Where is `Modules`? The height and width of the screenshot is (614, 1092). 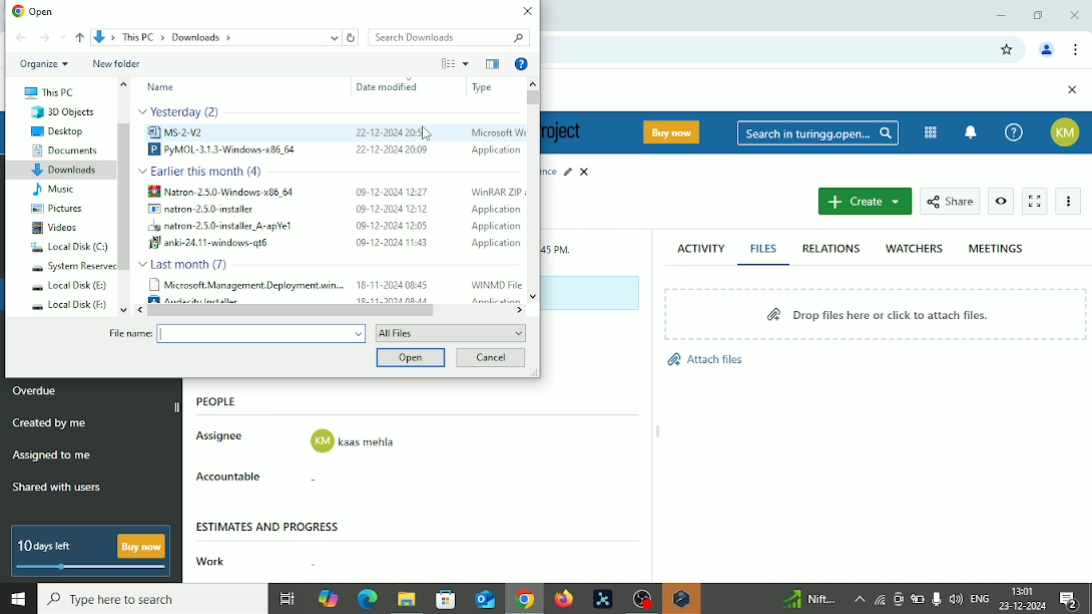 Modules is located at coordinates (930, 132).